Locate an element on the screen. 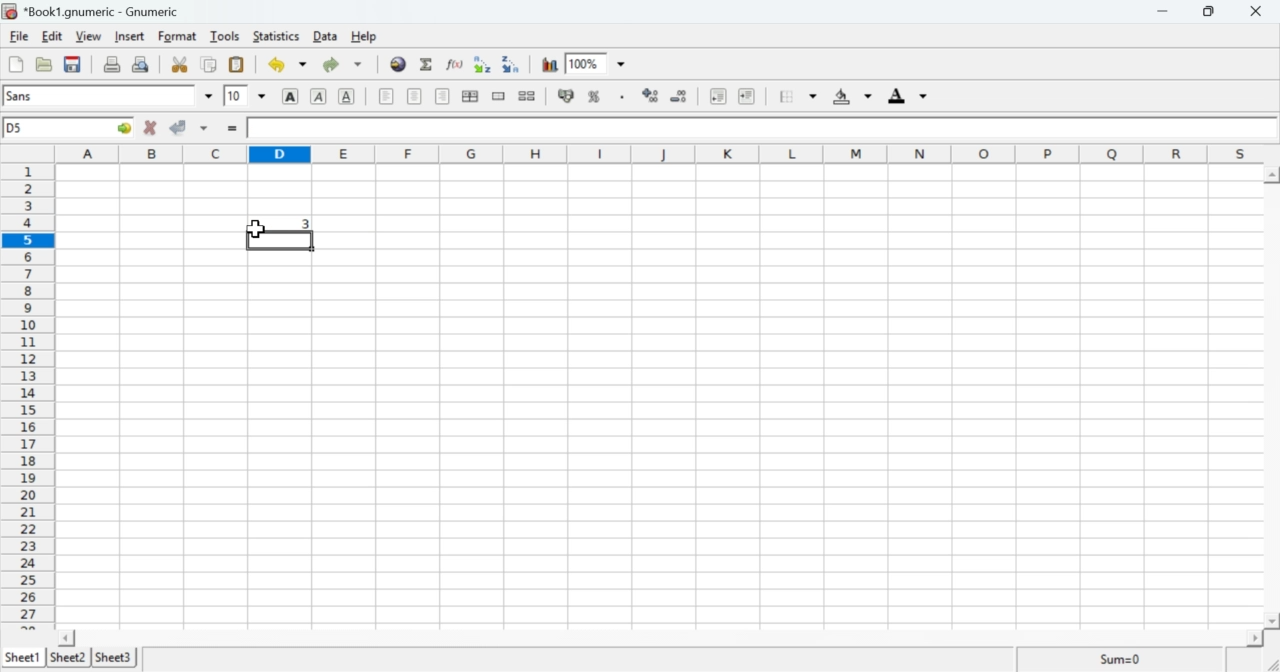  Copy is located at coordinates (209, 65).